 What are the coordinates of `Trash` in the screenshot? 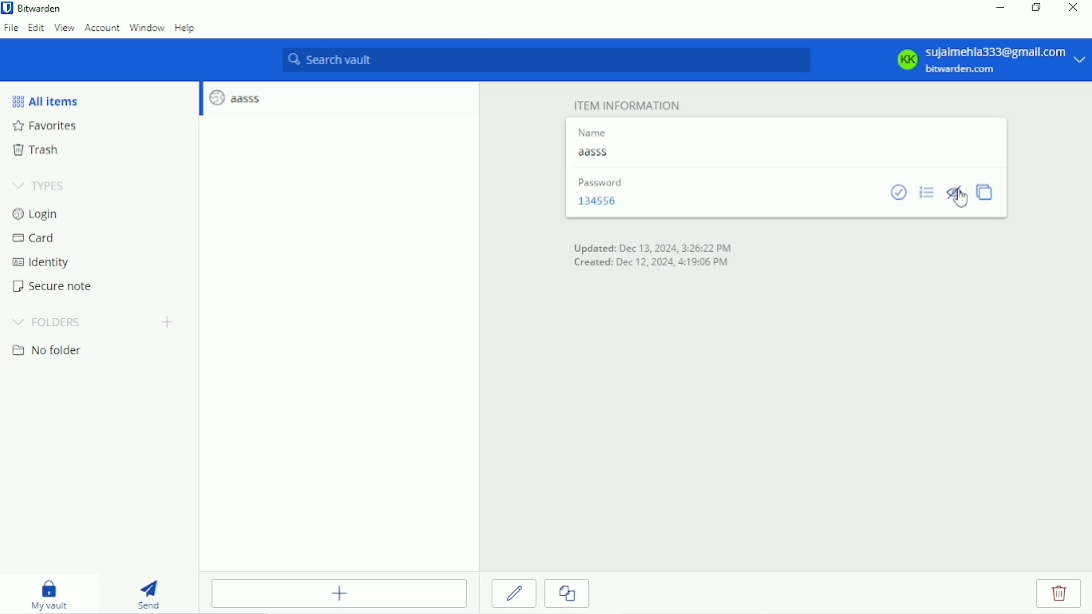 It's located at (39, 150).